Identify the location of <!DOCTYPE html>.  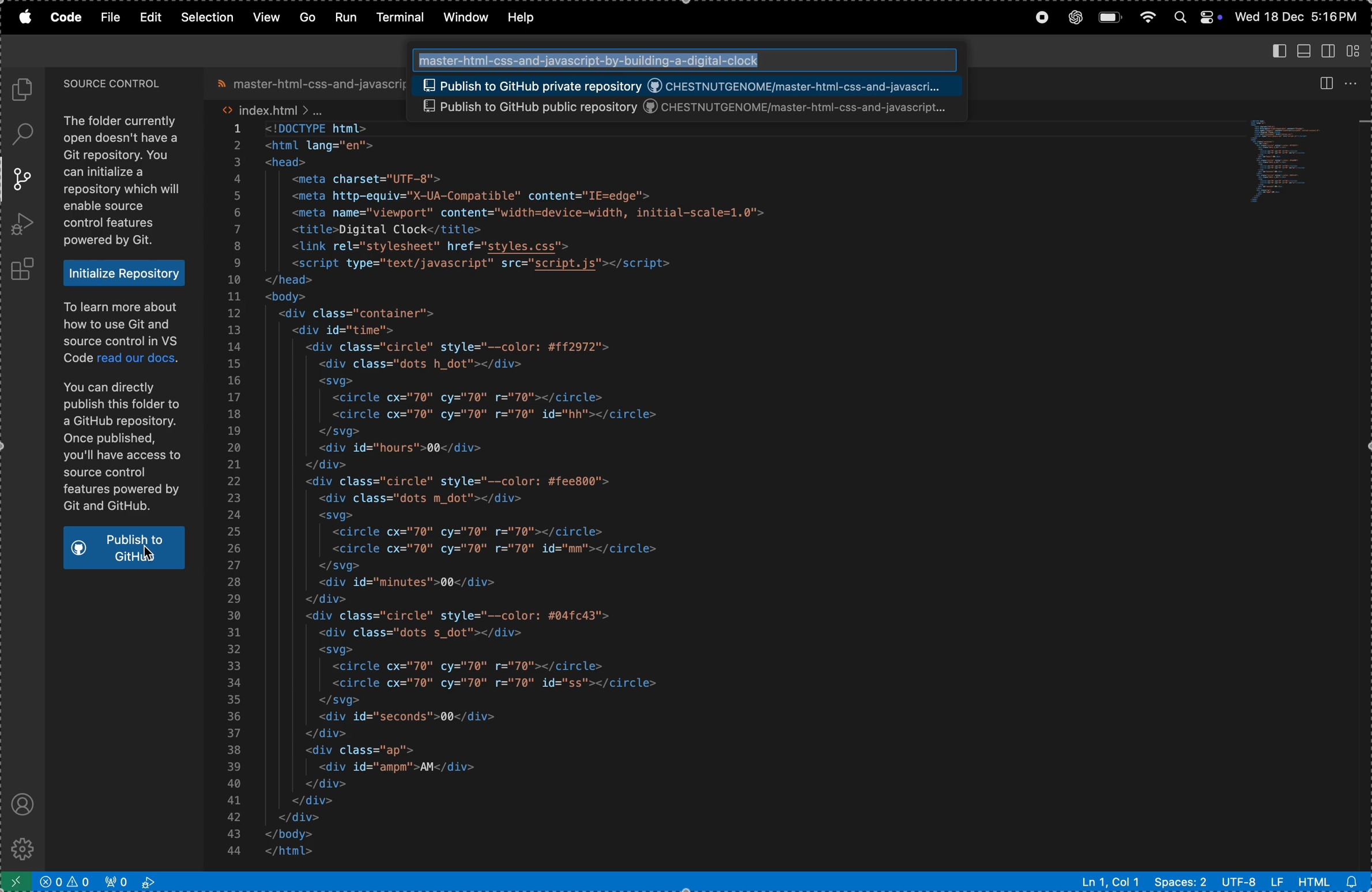
(328, 128).